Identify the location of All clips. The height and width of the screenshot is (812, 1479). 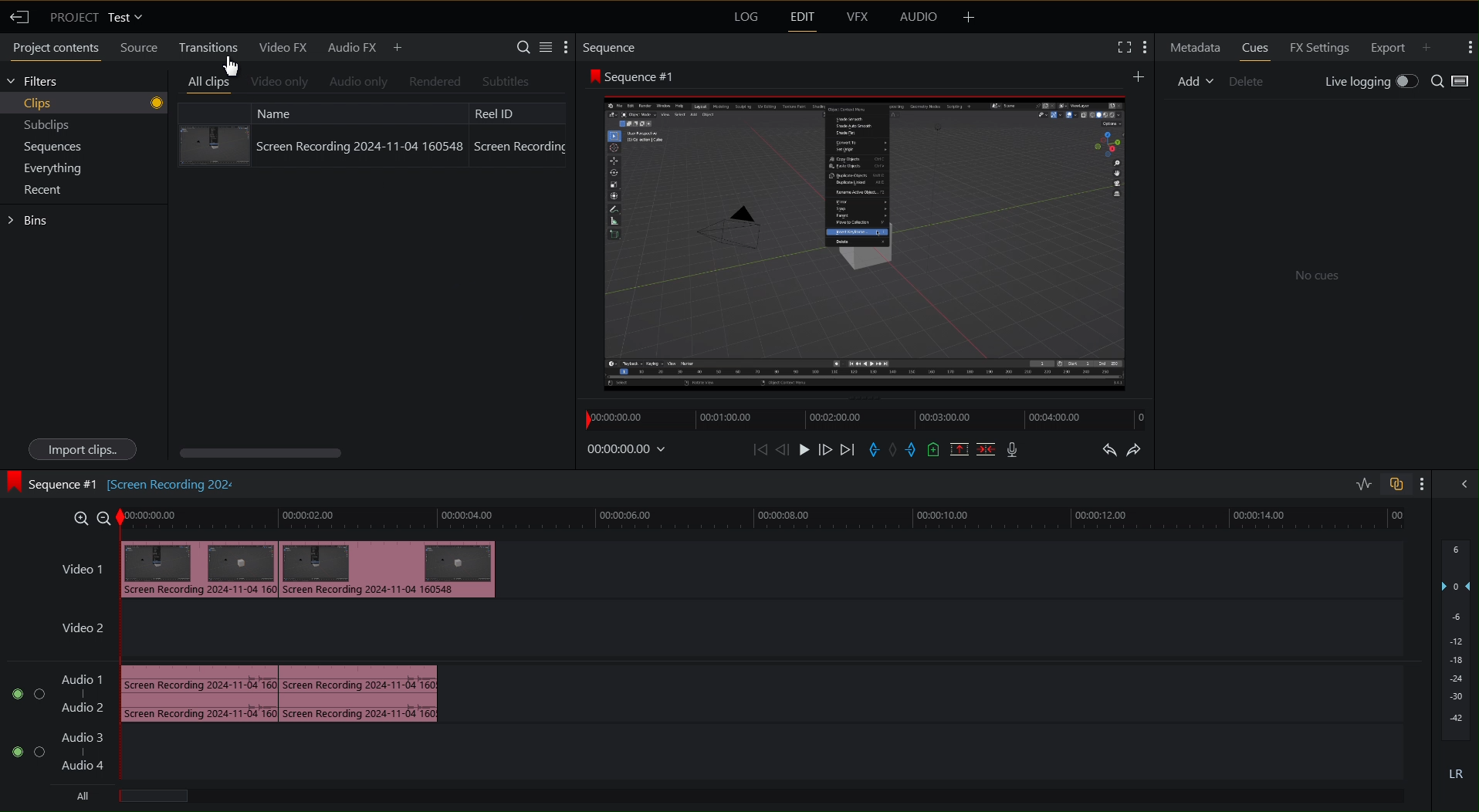
(209, 83).